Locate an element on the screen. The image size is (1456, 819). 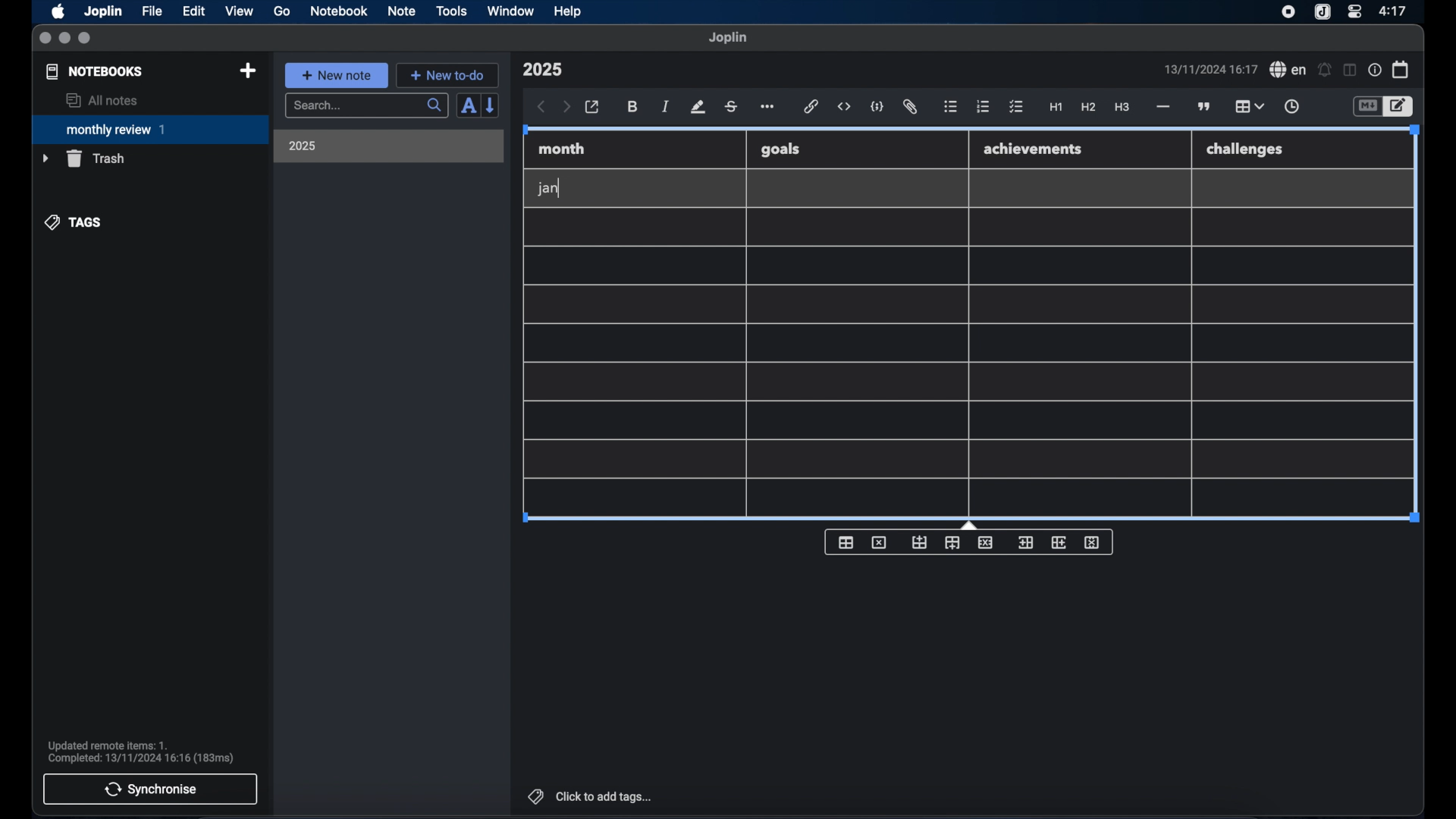
delete column is located at coordinates (1093, 543).